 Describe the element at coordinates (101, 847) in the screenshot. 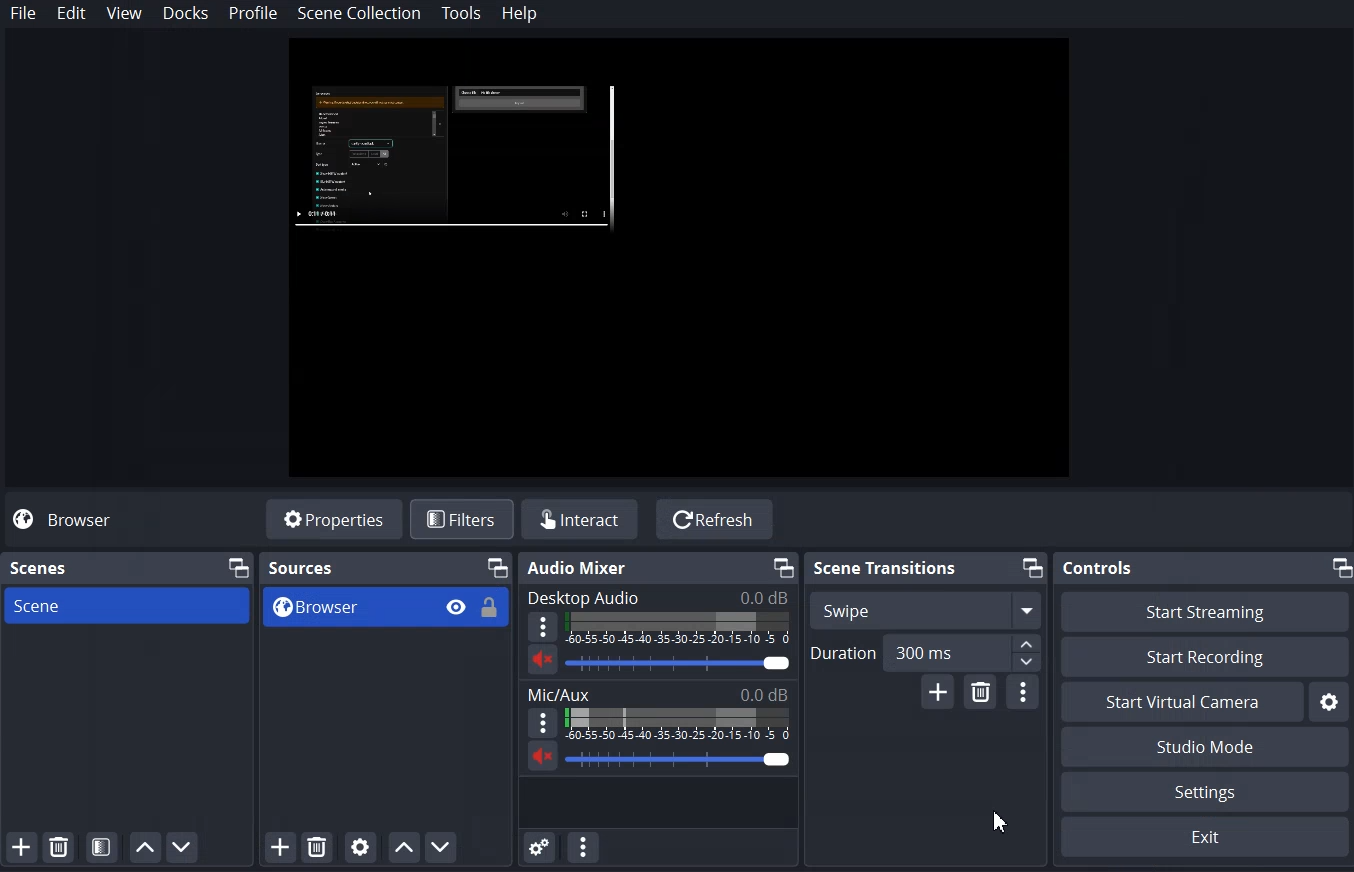

I see `Open Scene Filter` at that location.